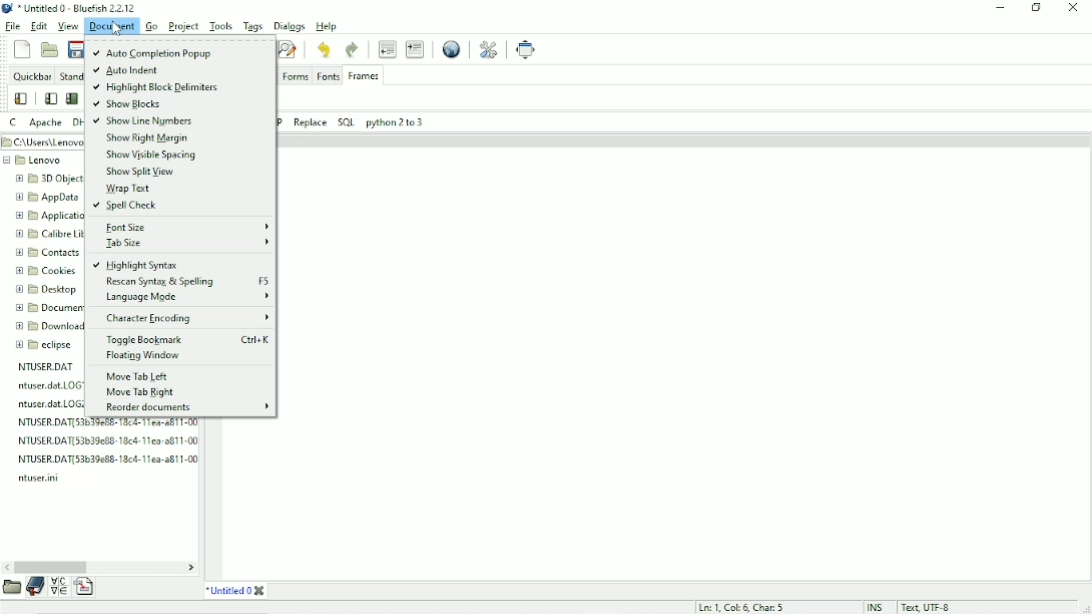 Image resolution: width=1092 pixels, height=614 pixels. I want to click on Floating window, so click(144, 357).